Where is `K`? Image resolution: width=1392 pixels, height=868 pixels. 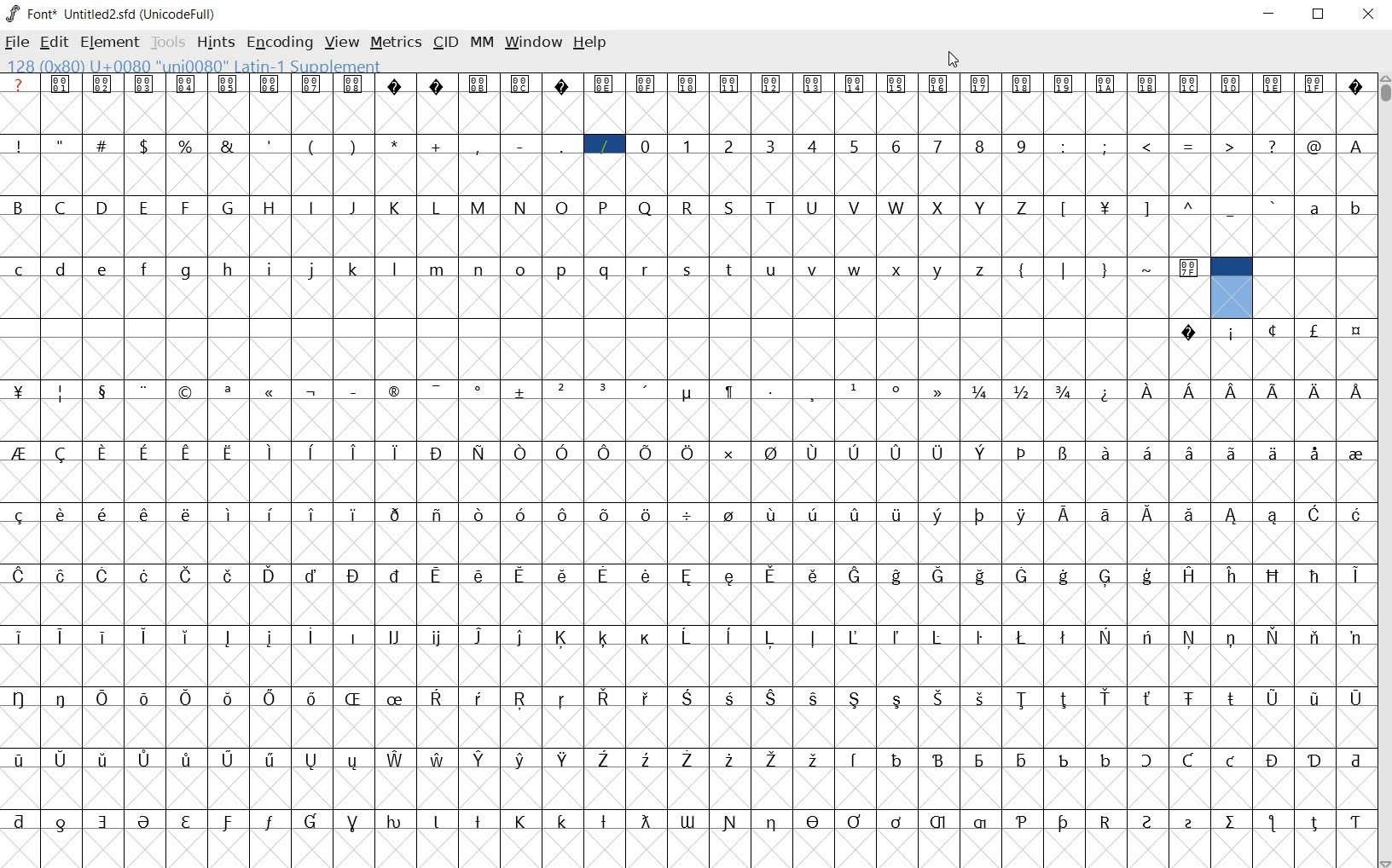 K is located at coordinates (397, 206).